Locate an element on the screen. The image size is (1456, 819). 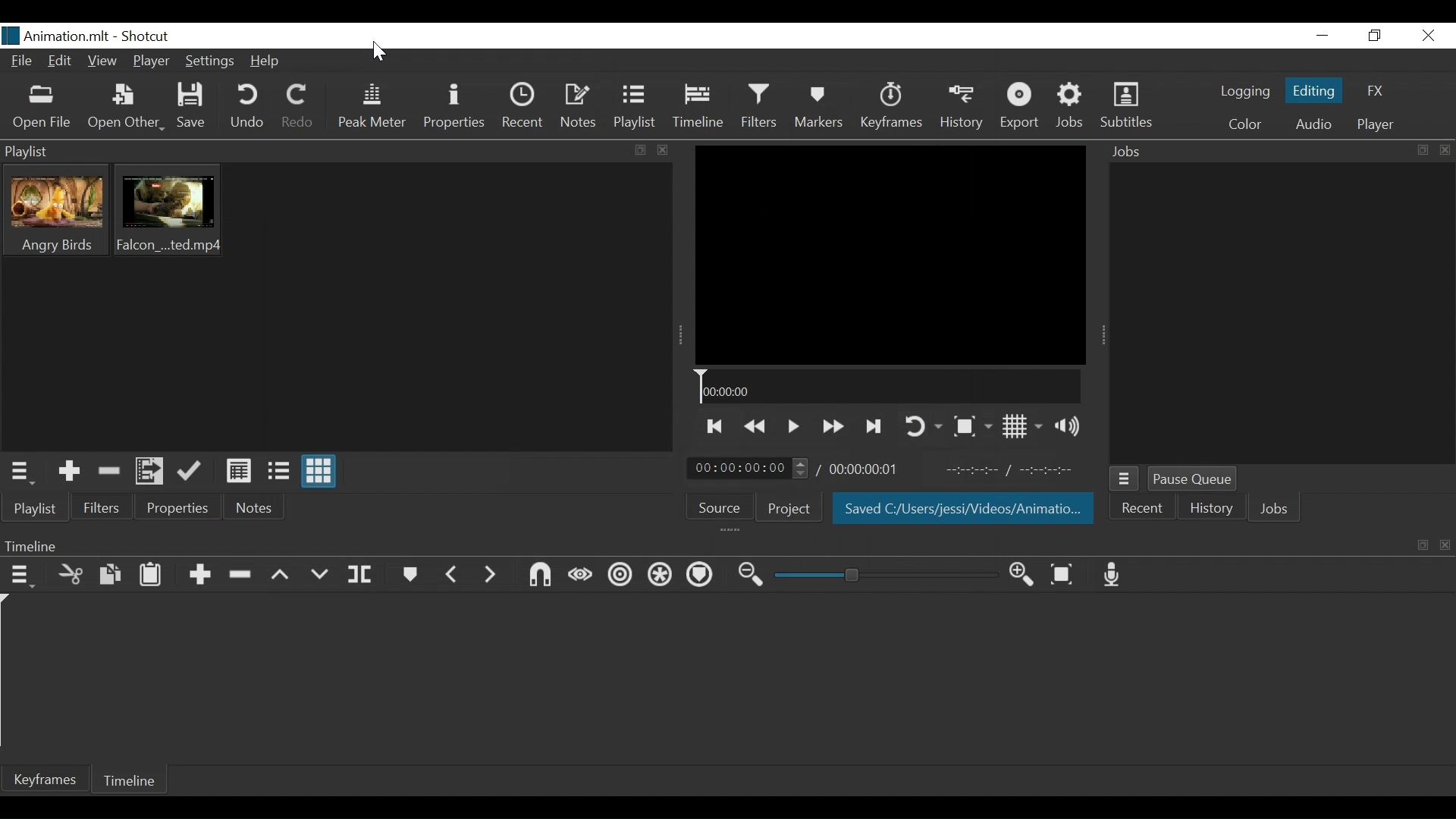
Markers is located at coordinates (821, 108).